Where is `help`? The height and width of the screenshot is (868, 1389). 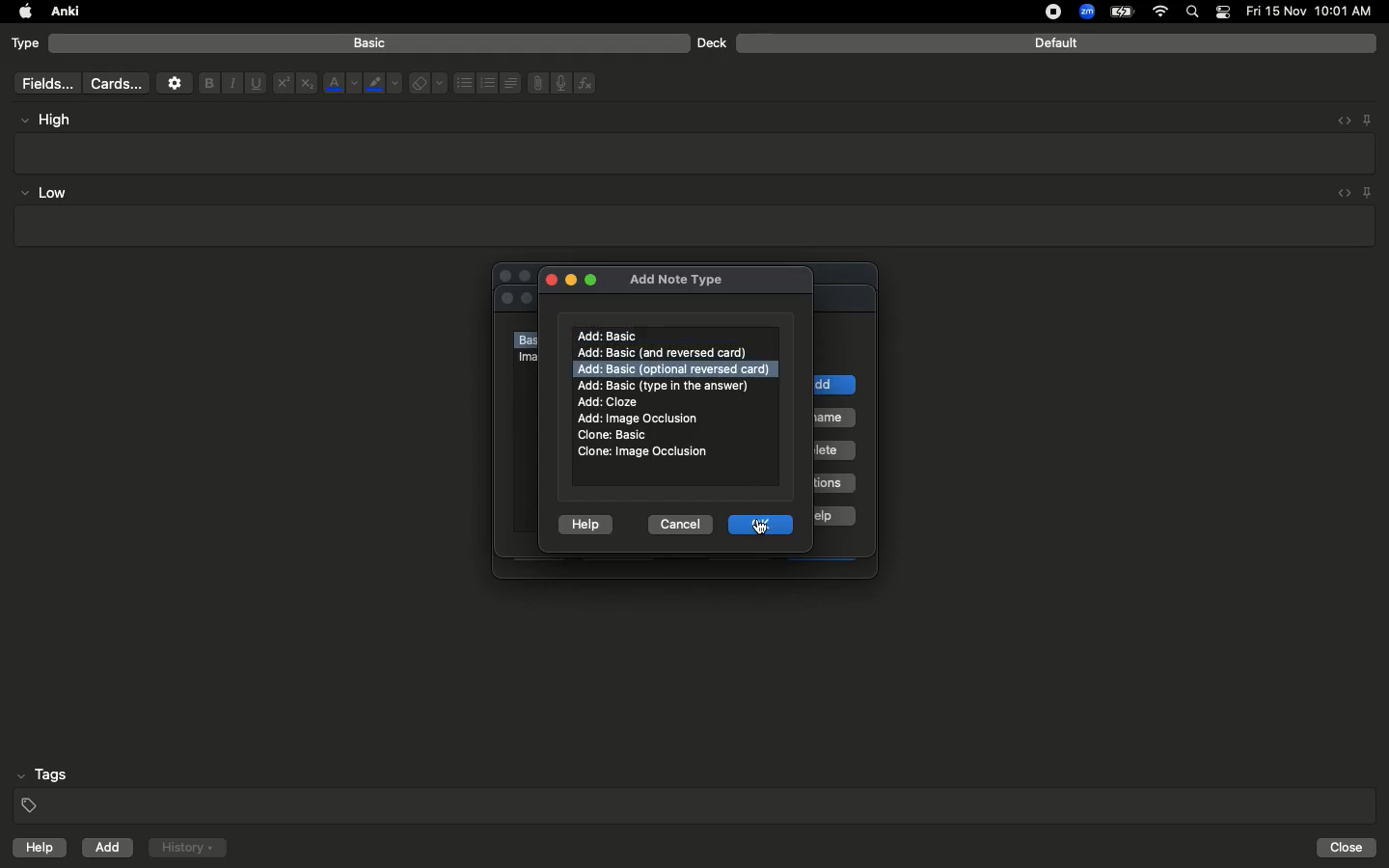
help is located at coordinates (36, 850).